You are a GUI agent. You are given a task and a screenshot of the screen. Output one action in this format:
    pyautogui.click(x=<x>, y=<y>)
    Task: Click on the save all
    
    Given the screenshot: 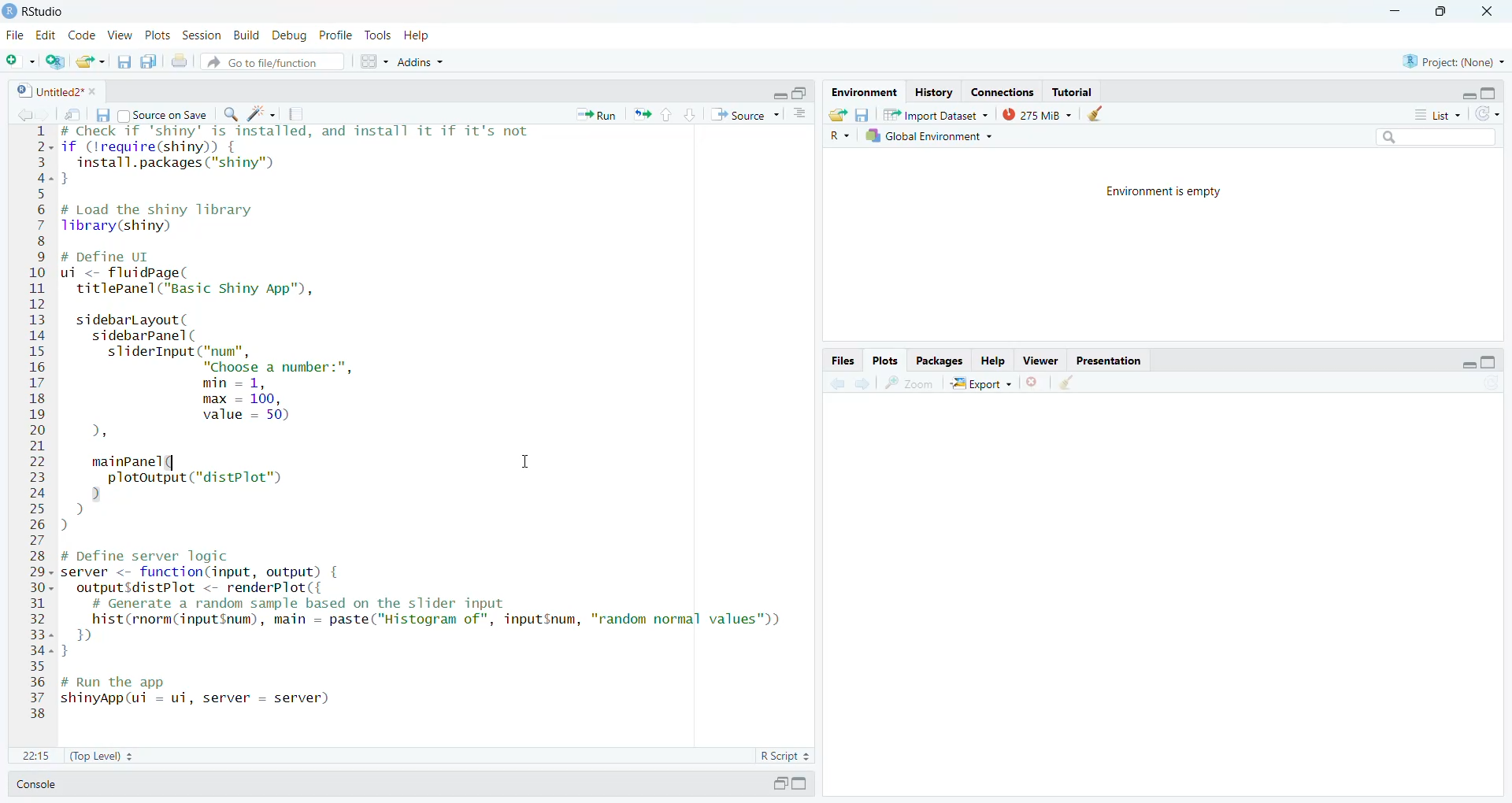 What is the action you would take?
    pyautogui.click(x=149, y=61)
    